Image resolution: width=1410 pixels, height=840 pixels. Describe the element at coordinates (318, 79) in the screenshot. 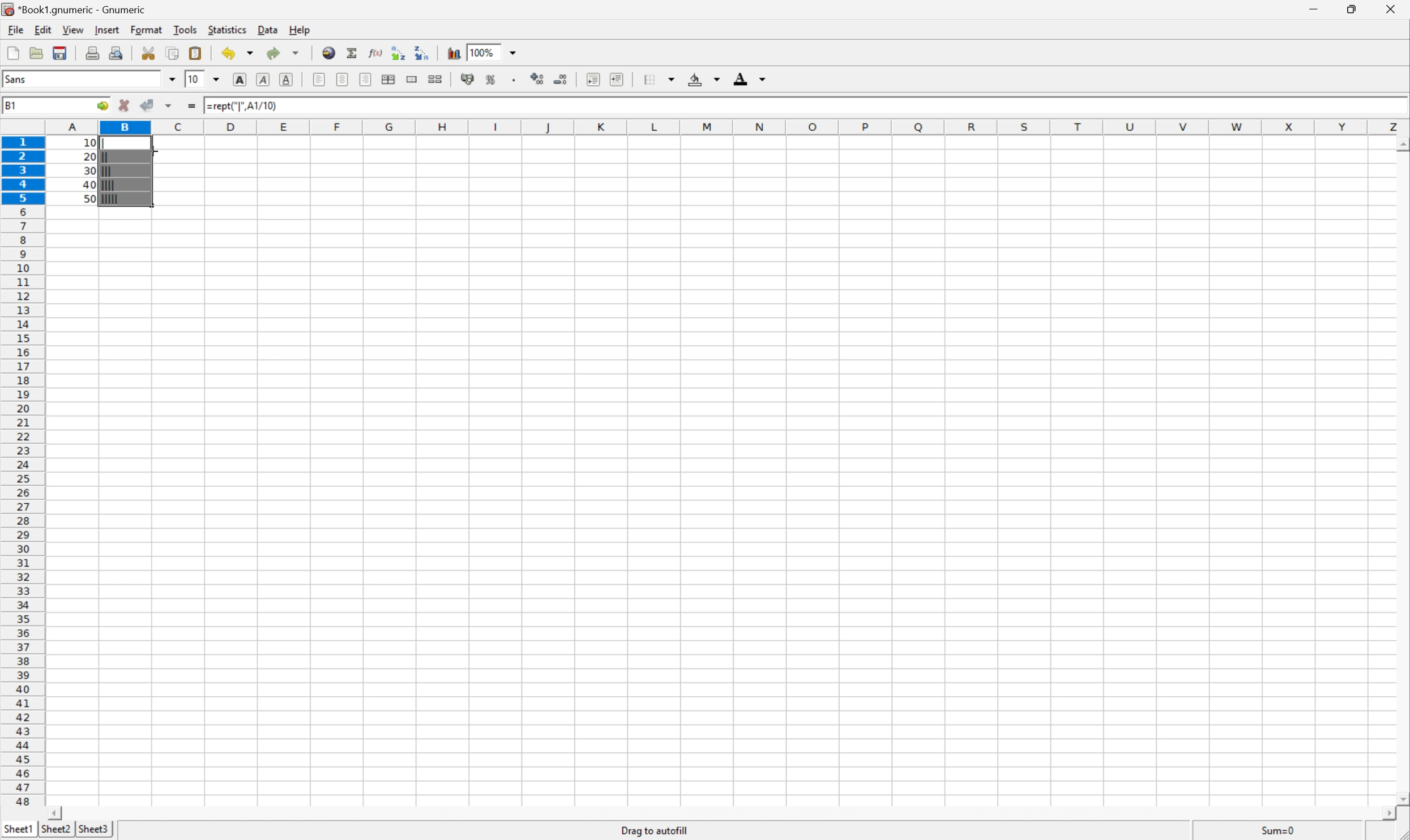

I see `Align Left` at that location.